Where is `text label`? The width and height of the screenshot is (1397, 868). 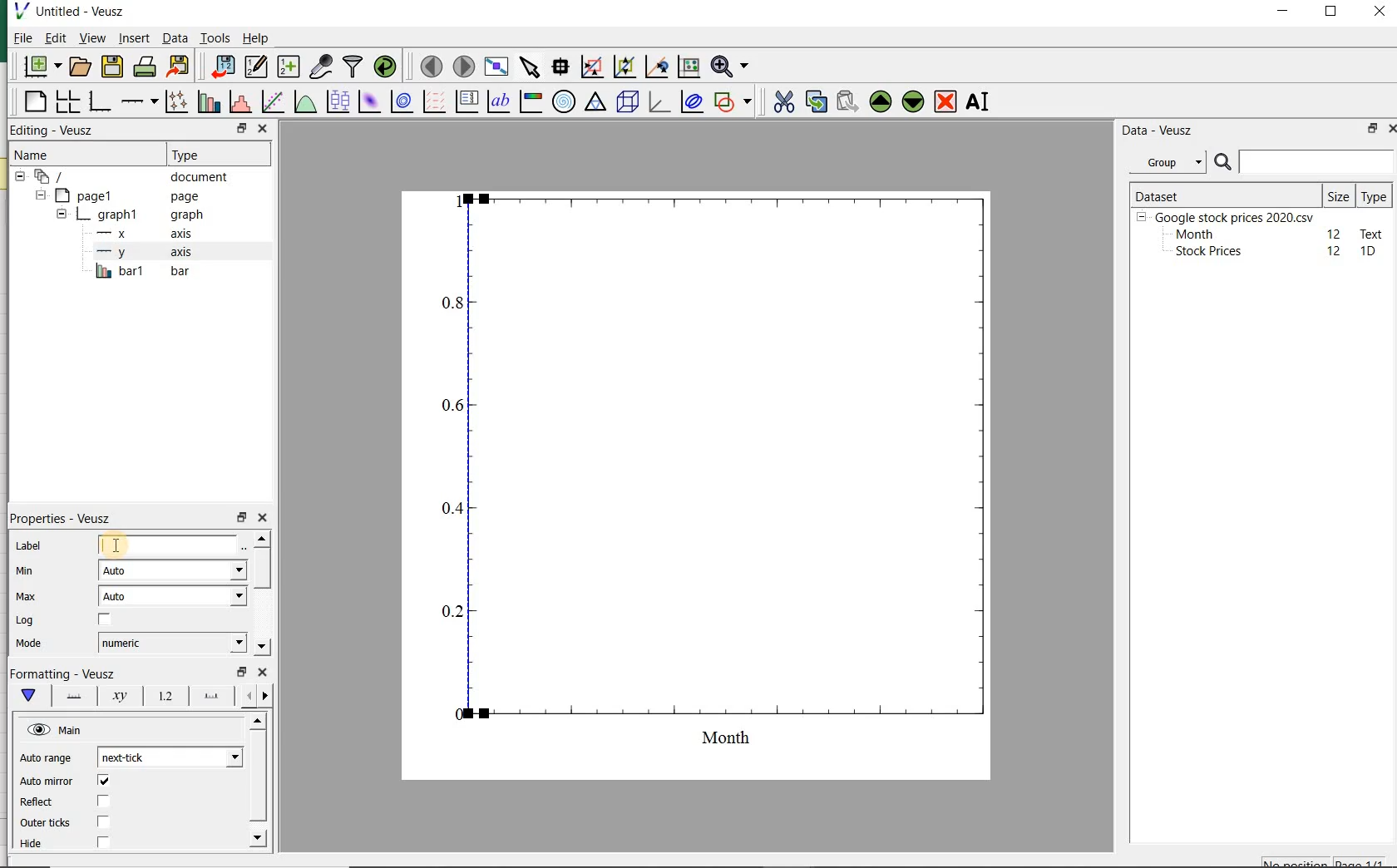 text label is located at coordinates (498, 103).